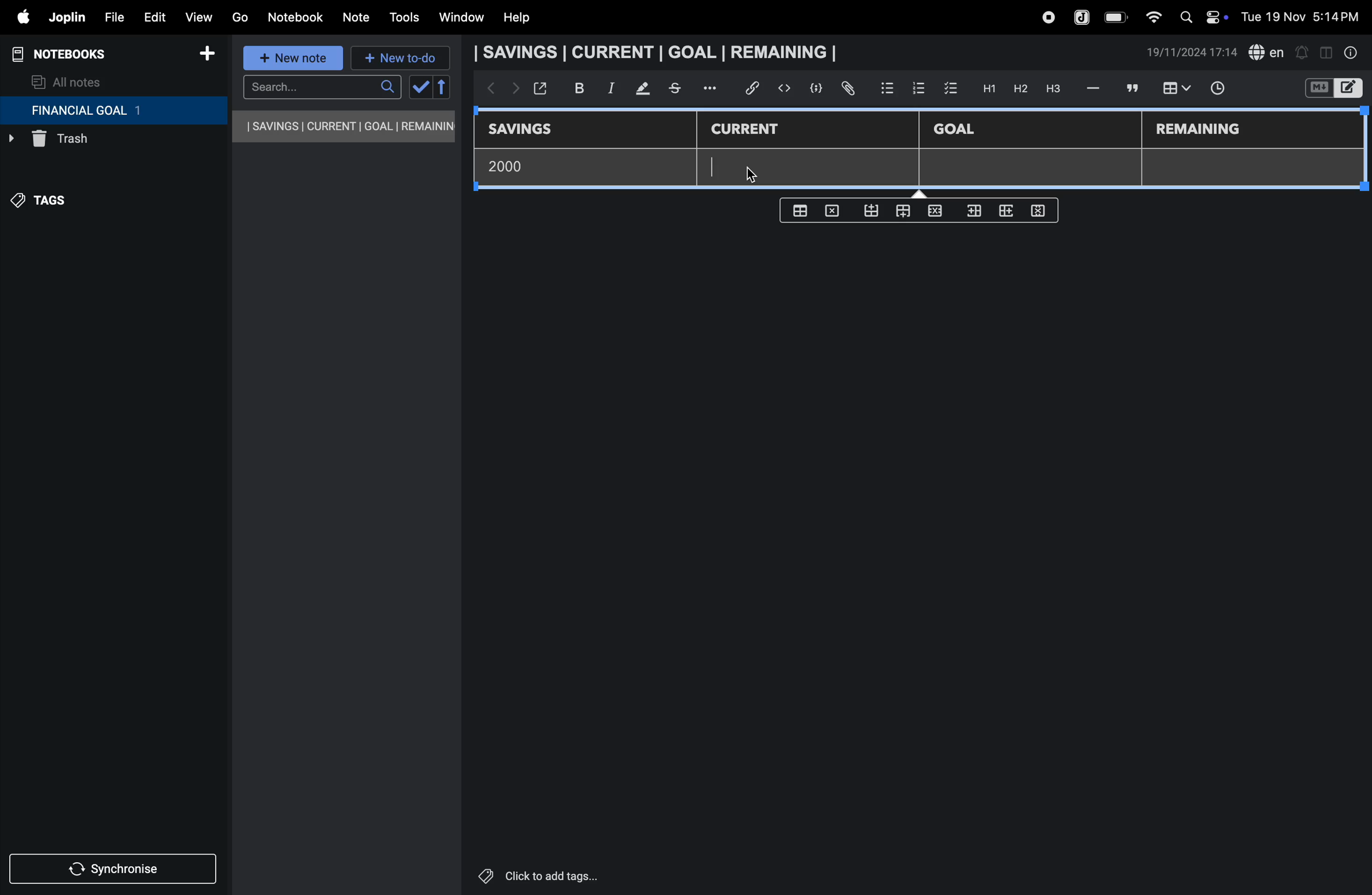 Image resolution: width=1372 pixels, height=895 pixels. What do you see at coordinates (747, 175) in the screenshot?
I see `cursor` at bounding box center [747, 175].